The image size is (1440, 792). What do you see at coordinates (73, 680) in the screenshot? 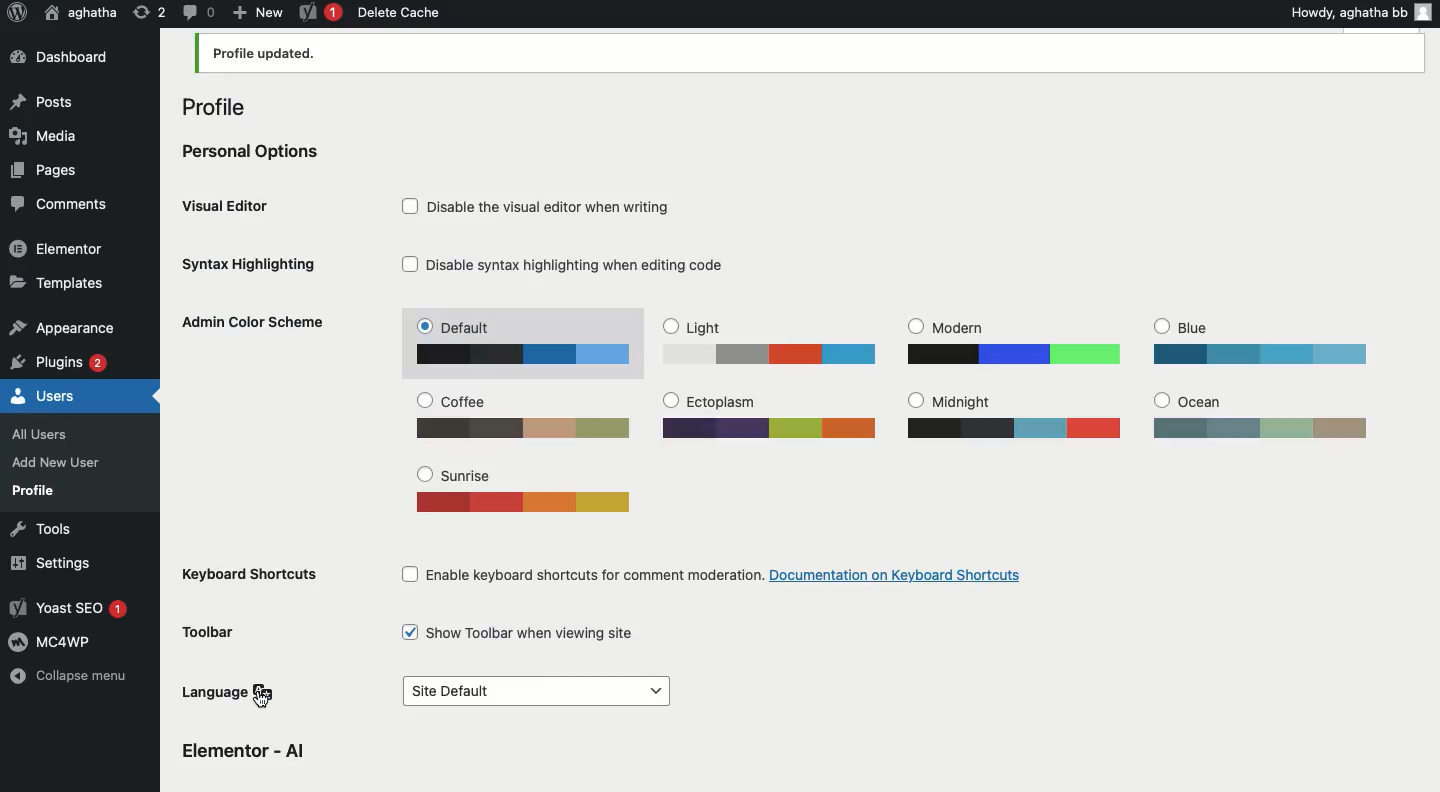
I see `Collapse menu` at bounding box center [73, 680].